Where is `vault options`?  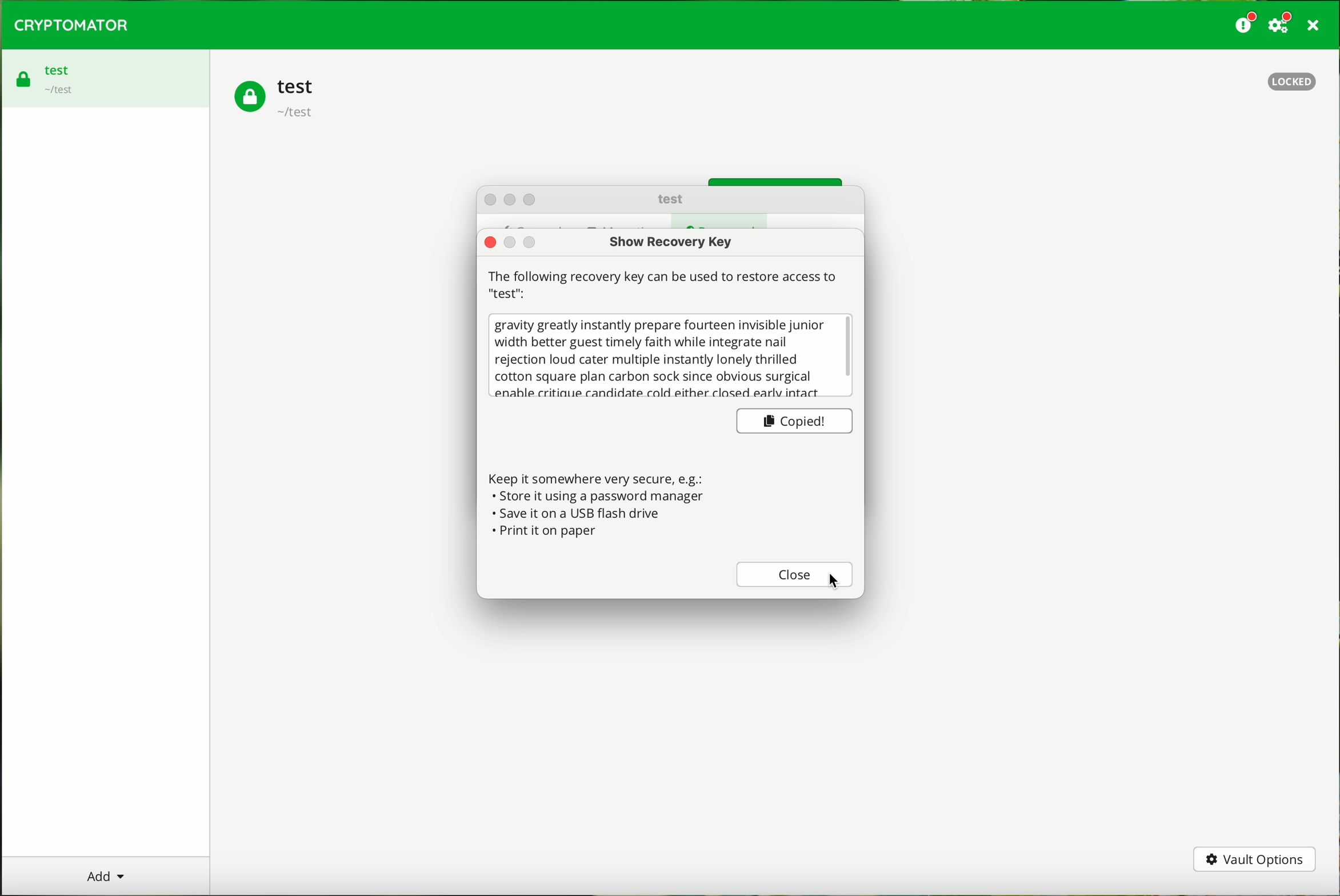 vault options is located at coordinates (1255, 861).